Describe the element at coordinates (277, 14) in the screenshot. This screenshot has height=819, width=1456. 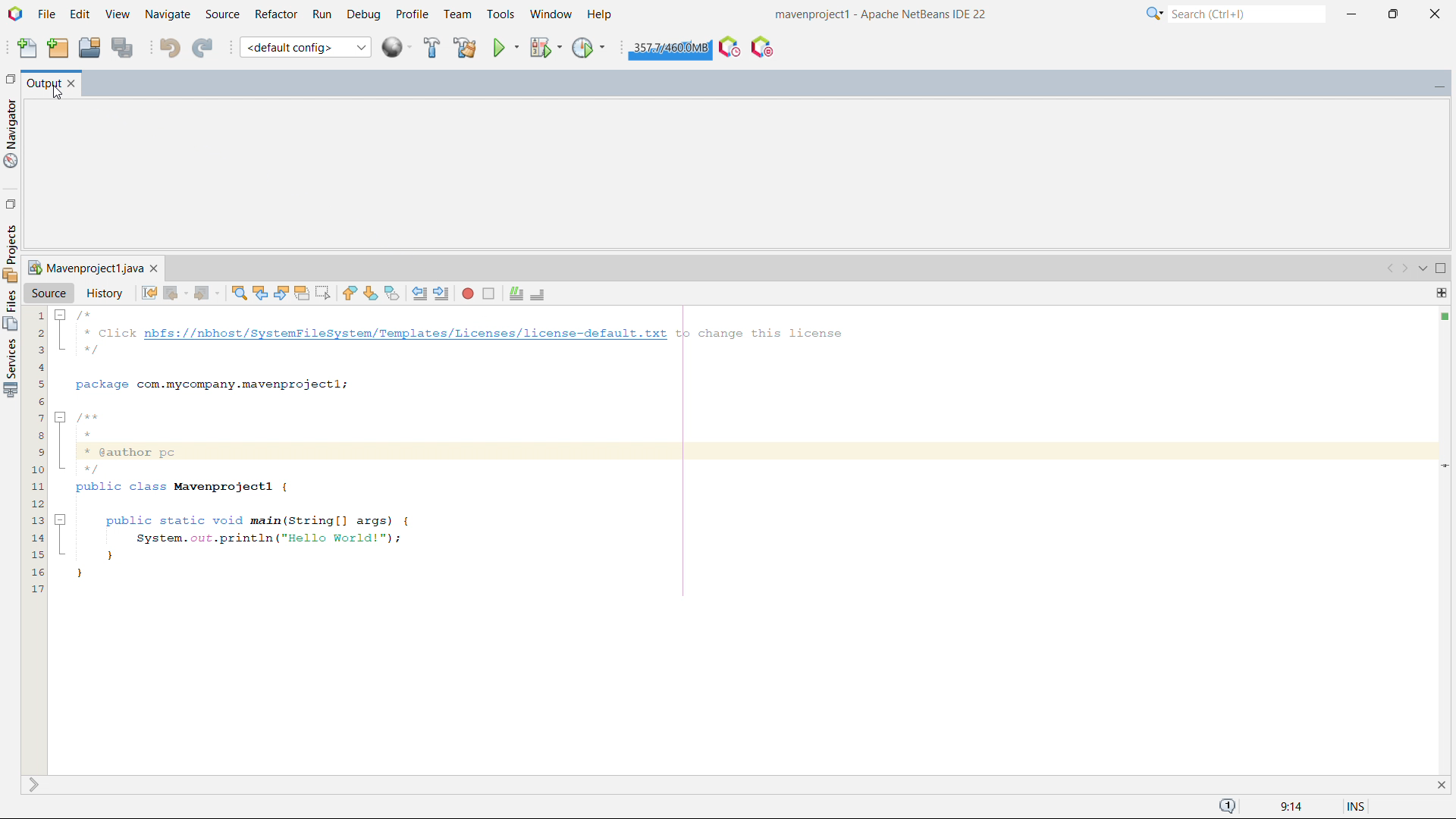
I see `refactor` at that location.